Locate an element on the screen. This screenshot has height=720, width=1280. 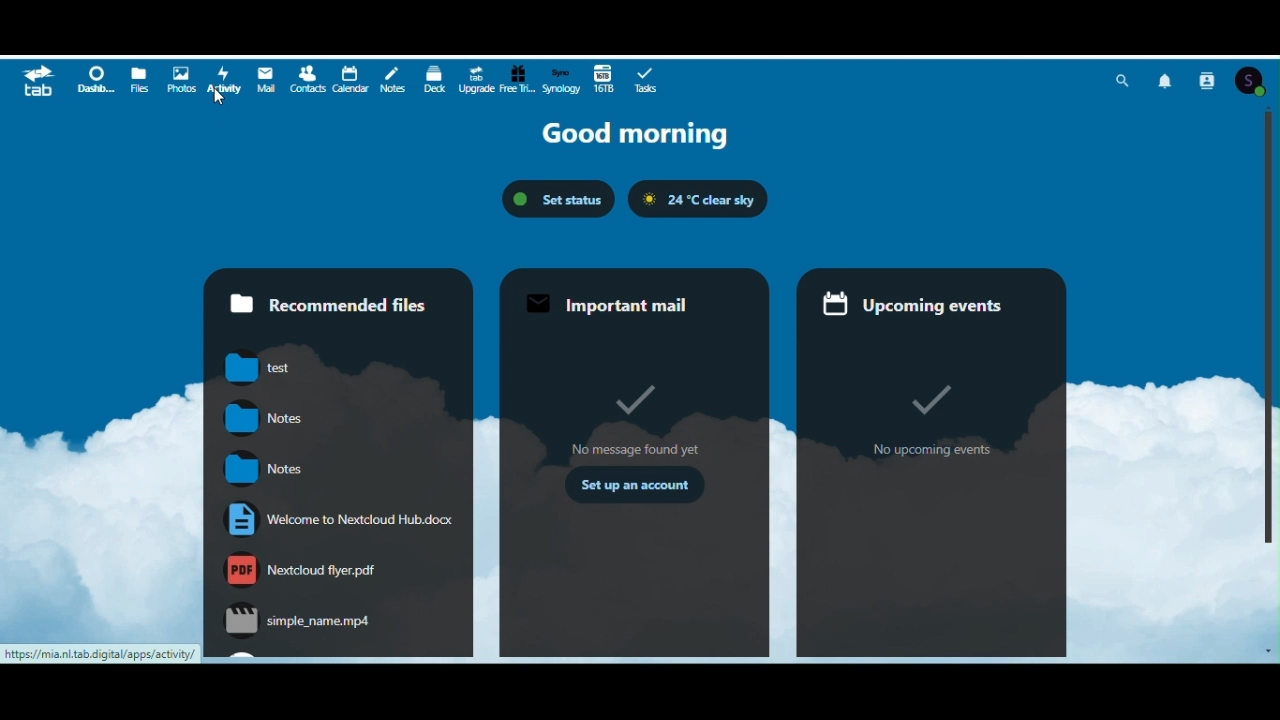
tab is located at coordinates (38, 85).